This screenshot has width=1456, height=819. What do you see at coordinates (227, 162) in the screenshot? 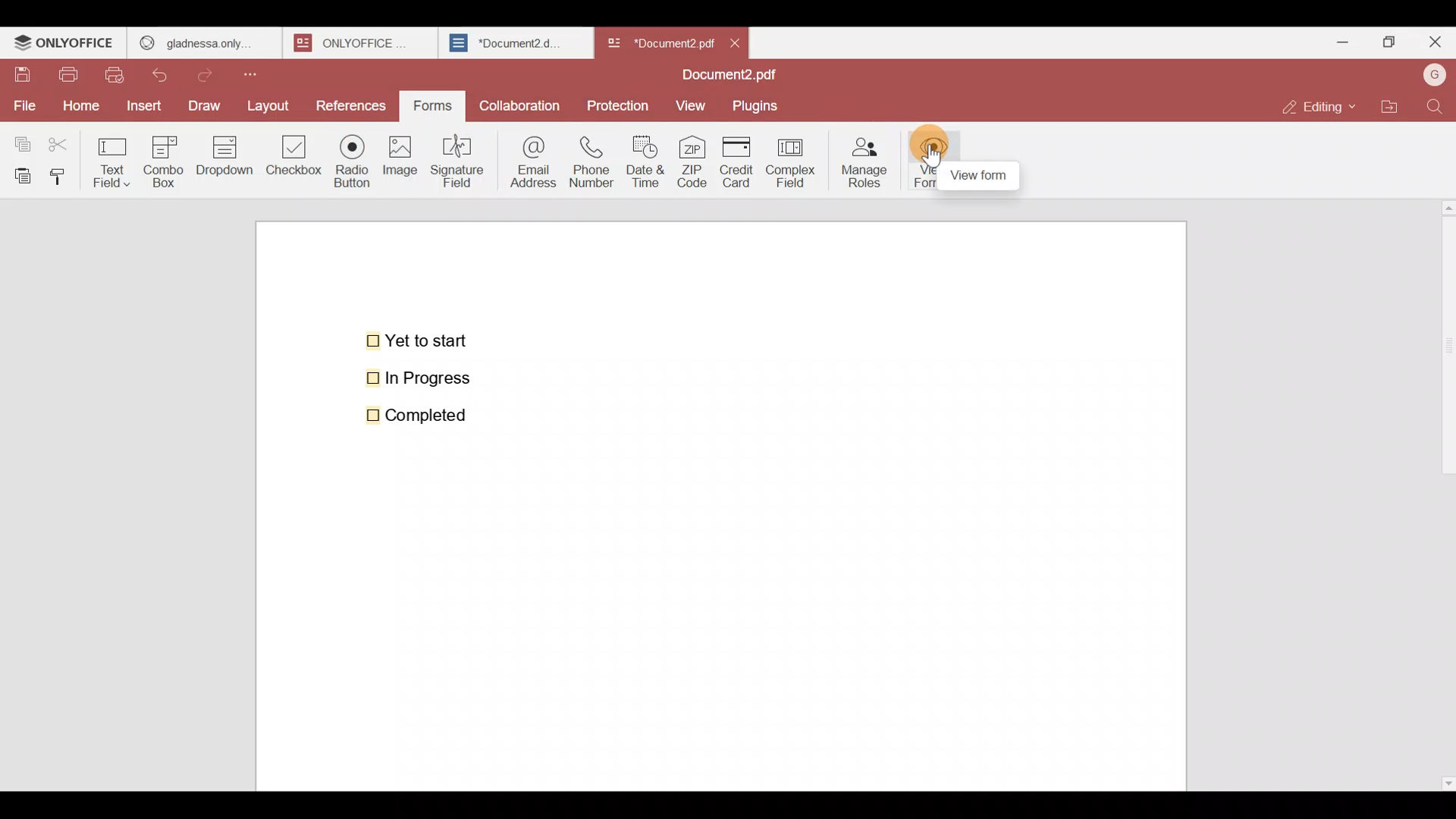
I see `Dropdown` at bounding box center [227, 162].